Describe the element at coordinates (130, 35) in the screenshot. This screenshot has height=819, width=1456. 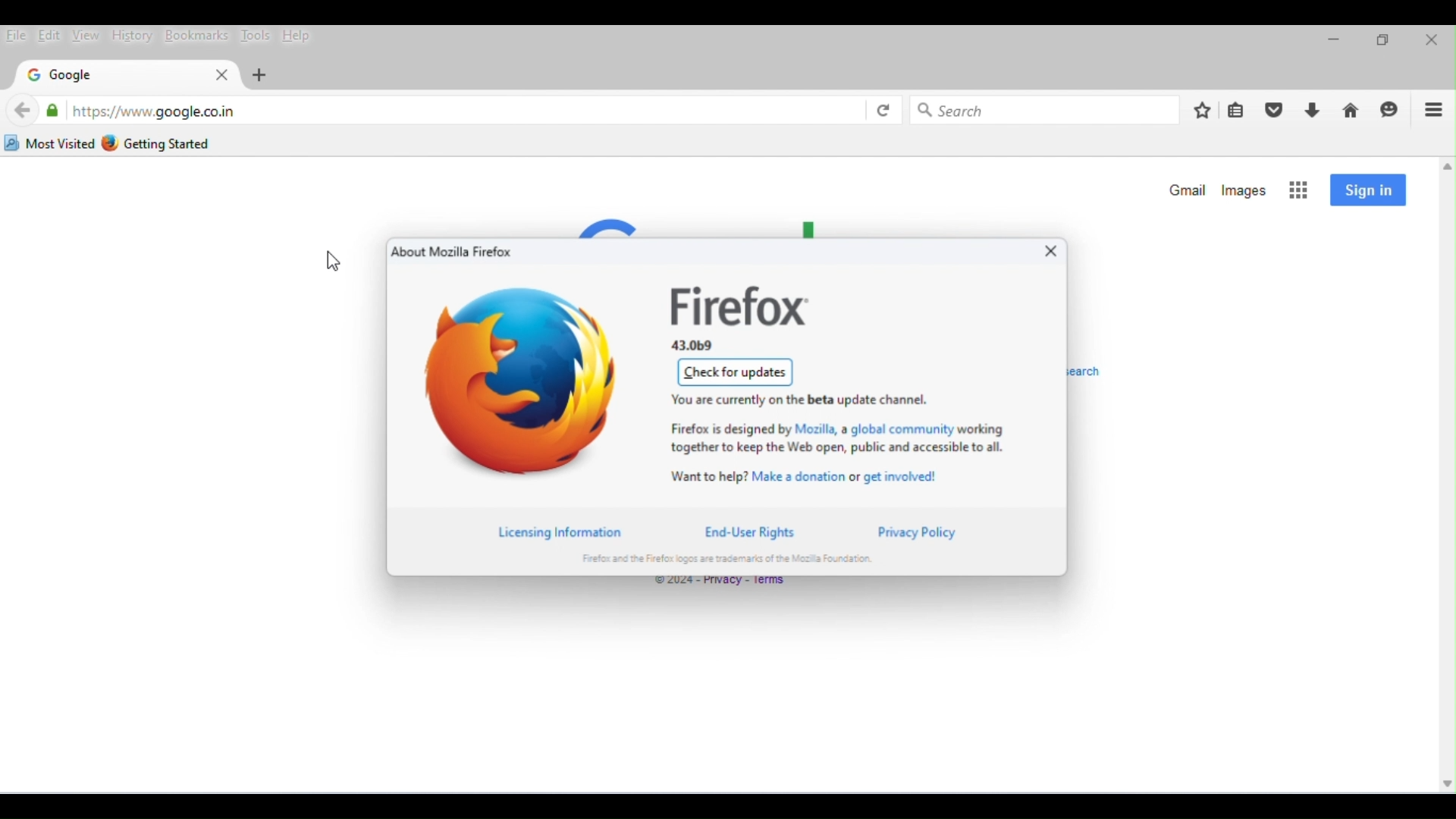
I see `history` at that location.